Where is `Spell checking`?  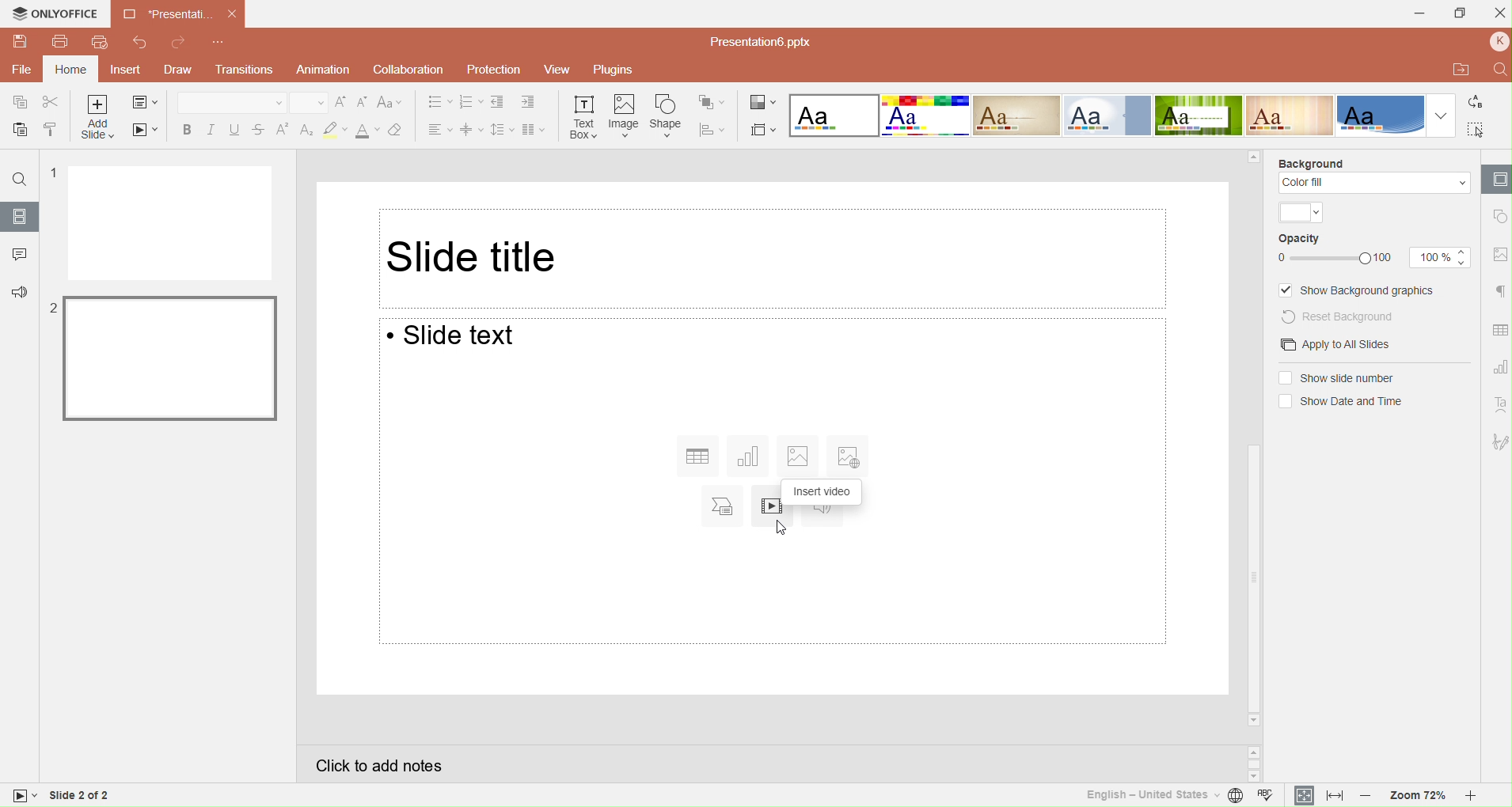 Spell checking is located at coordinates (1268, 795).